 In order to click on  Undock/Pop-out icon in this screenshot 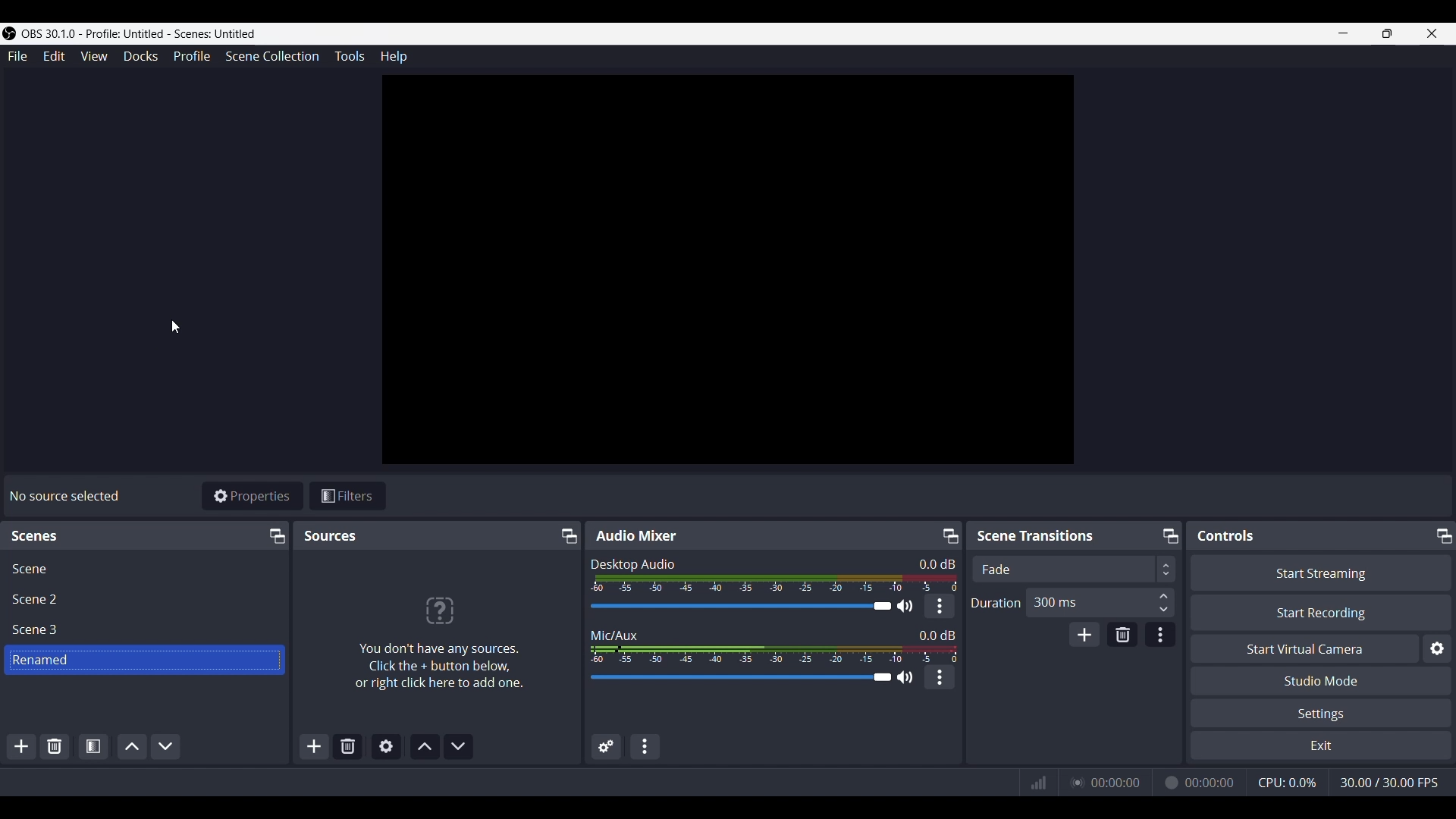, I will do `click(1442, 534)`.